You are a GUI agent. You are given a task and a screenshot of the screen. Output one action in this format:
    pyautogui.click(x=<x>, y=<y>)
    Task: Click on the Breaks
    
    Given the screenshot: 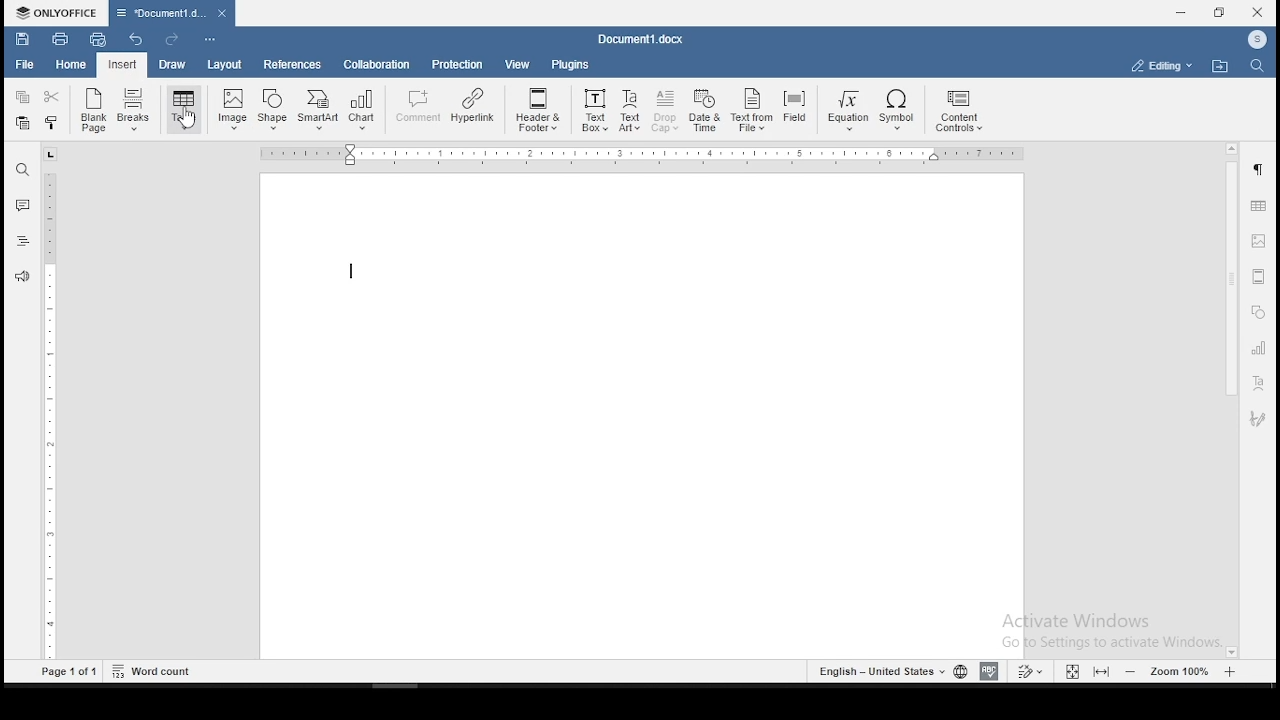 What is the action you would take?
    pyautogui.click(x=135, y=112)
    